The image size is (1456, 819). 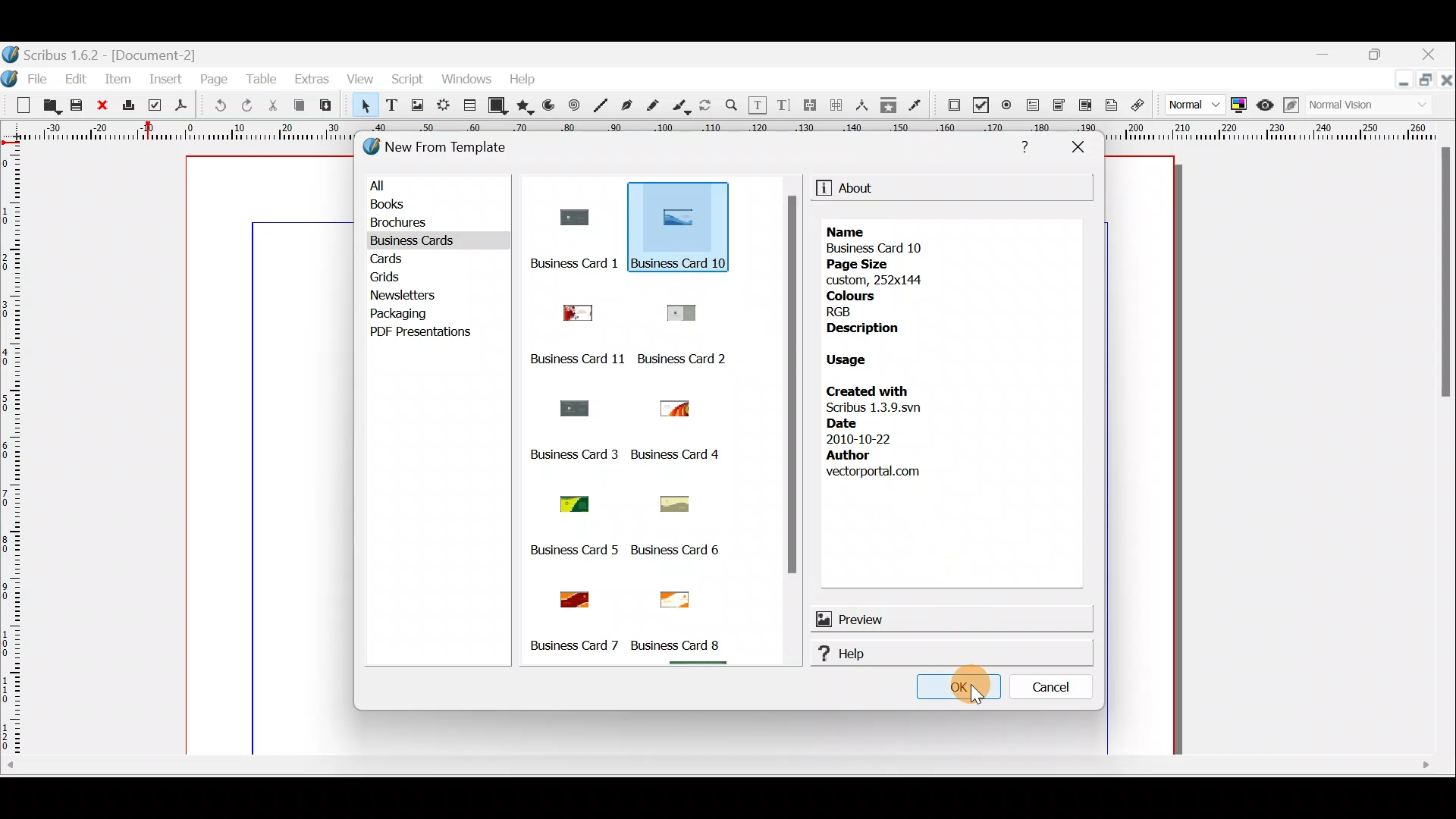 What do you see at coordinates (1007, 104) in the screenshot?
I see `PDF radio button` at bounding box center [1007, 104].